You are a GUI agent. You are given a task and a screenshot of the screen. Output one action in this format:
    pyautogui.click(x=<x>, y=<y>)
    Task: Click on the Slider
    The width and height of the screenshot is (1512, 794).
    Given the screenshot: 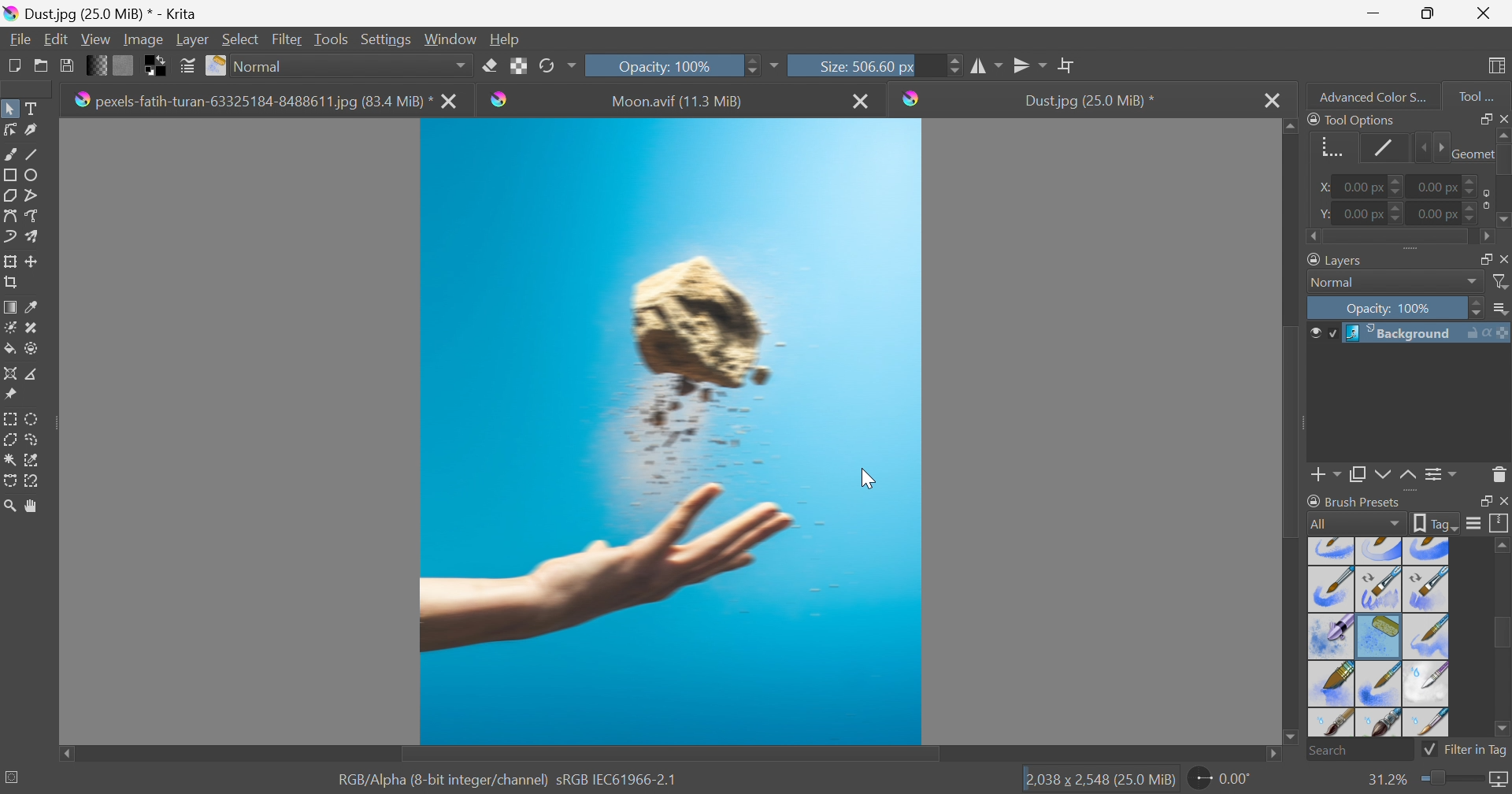 What is the action you would take?
    pyautogui.click(x=1430, y=148)
    